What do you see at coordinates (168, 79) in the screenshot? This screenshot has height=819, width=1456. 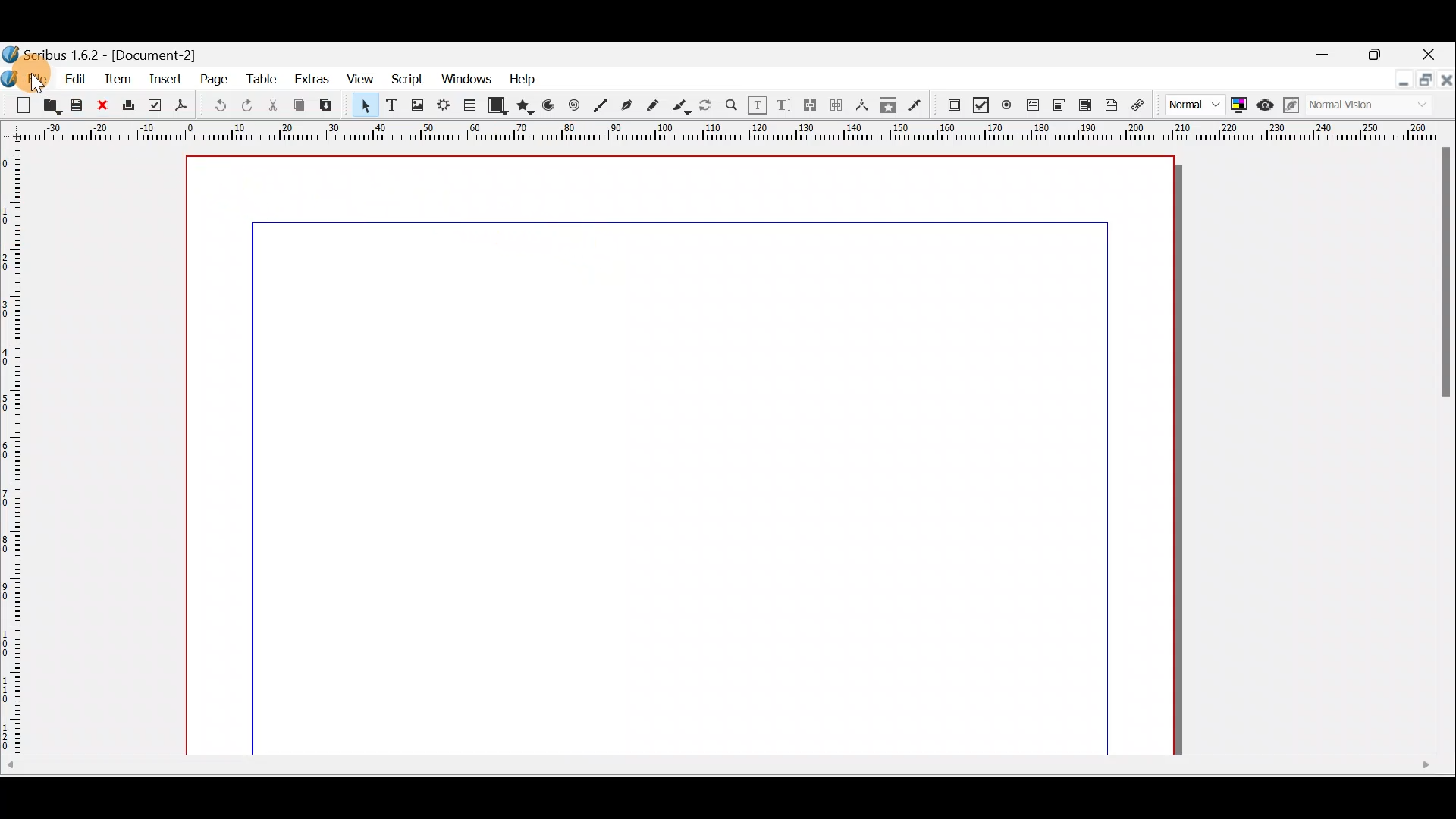 I see `Insert` at bounding box center [168, 79].